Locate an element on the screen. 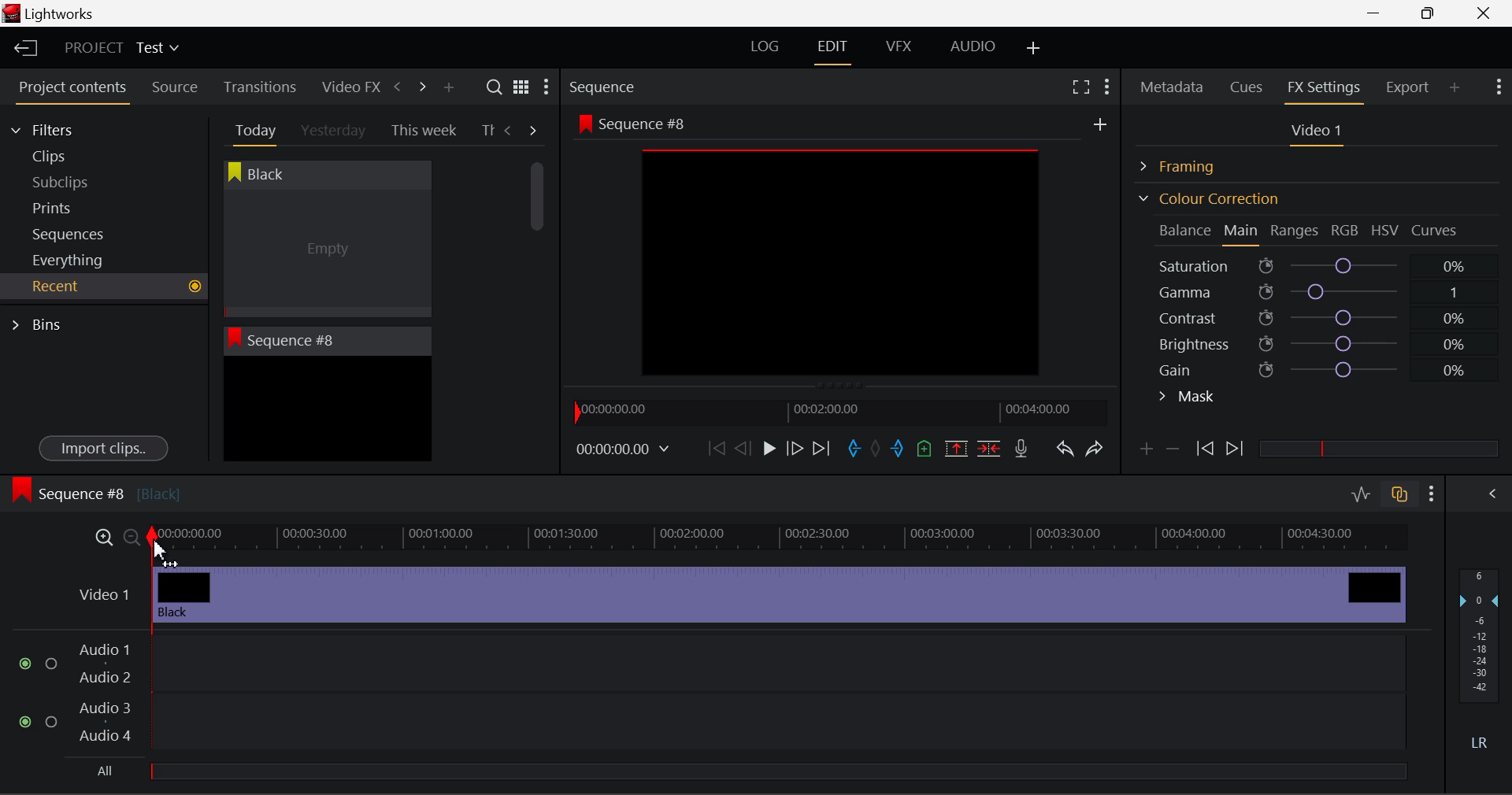 Image resolution: width=1512 pixels, height=795 pixels. Saturation is located at coordinates (1314, 263).